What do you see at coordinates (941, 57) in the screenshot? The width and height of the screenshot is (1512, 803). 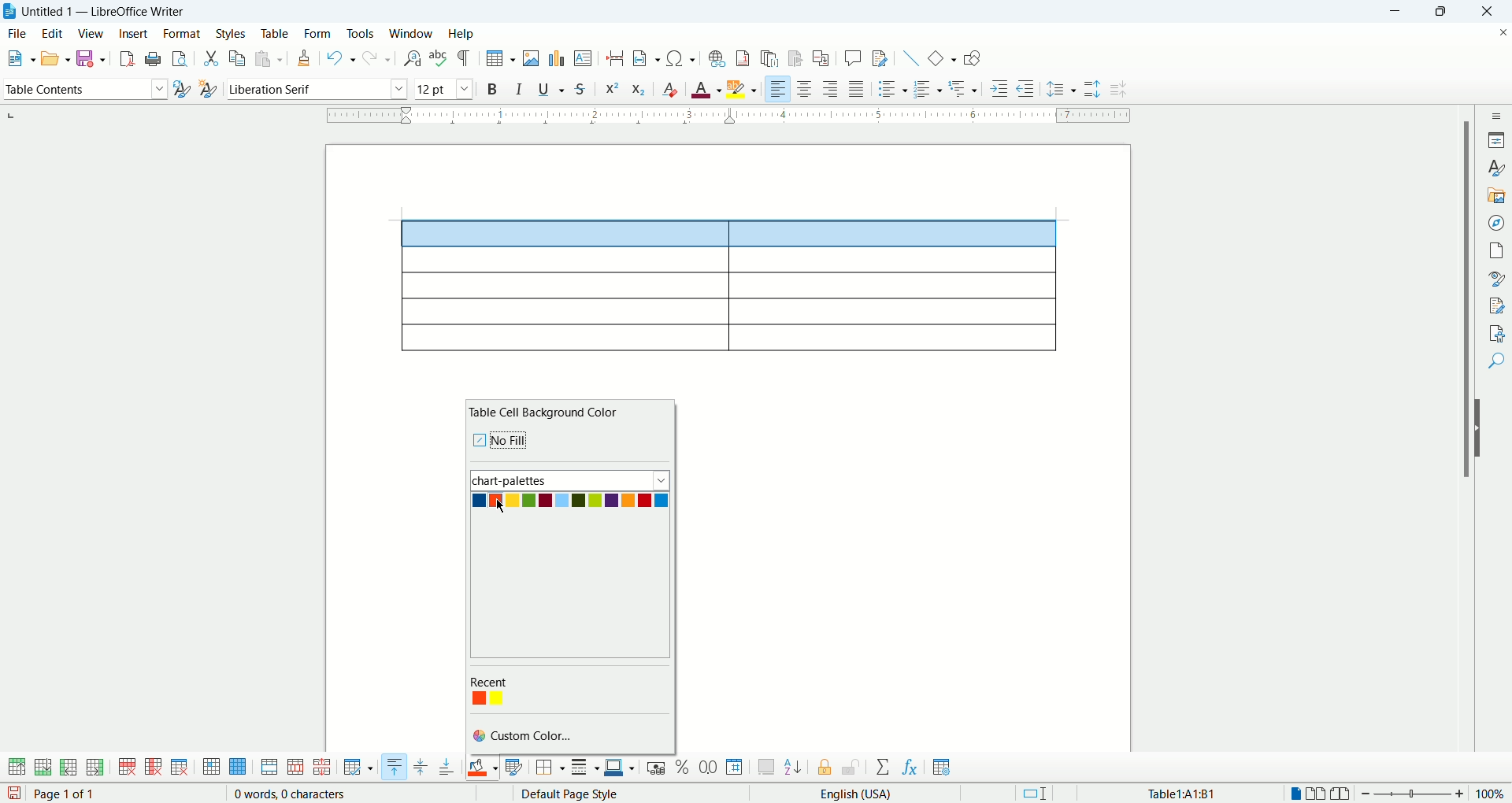 I see `basic shapes` at bounding box center [941, 57].